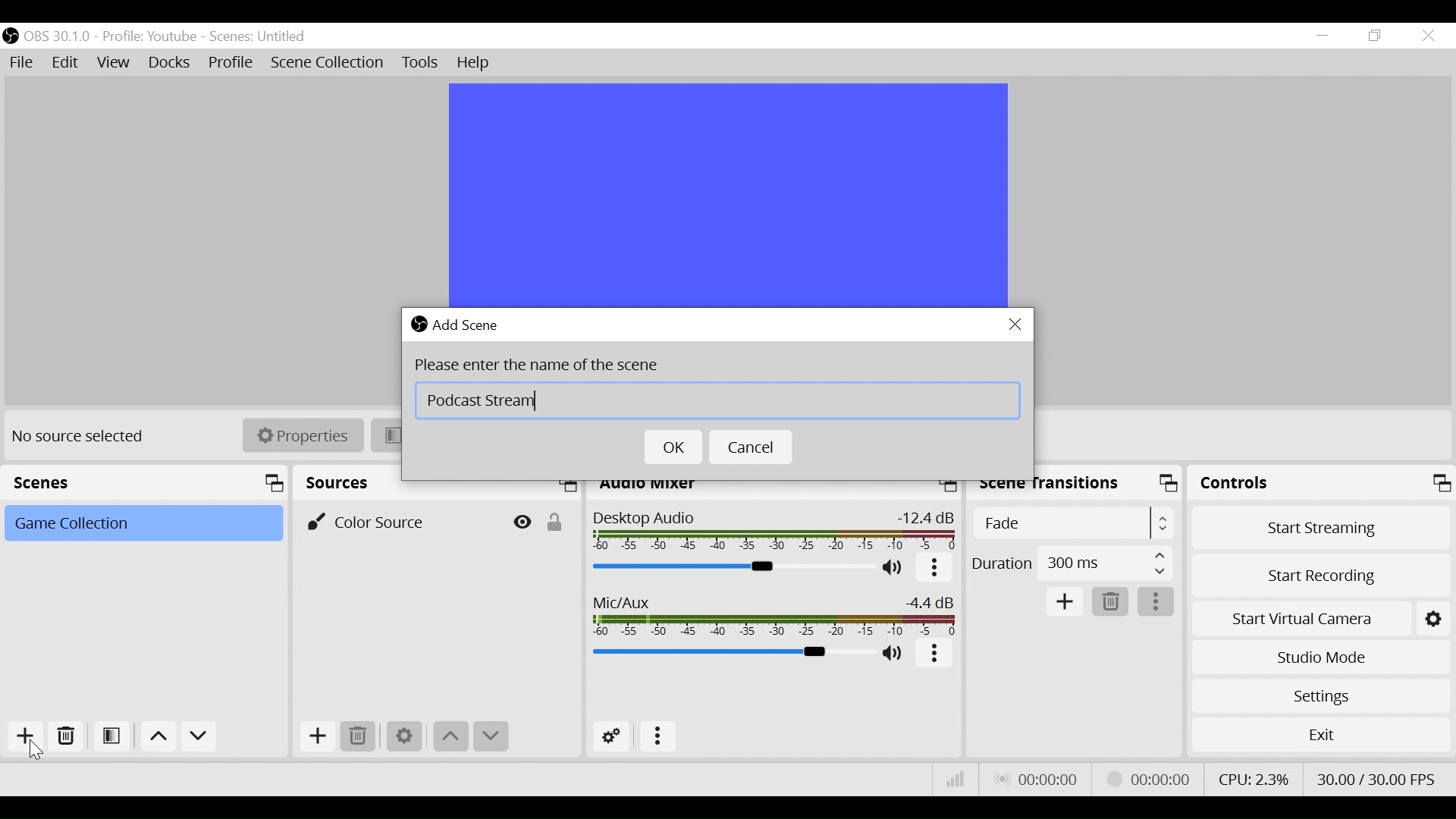  Describe the element at coordinates (357, 736) in the screenshot. I see `Delete` at that location.